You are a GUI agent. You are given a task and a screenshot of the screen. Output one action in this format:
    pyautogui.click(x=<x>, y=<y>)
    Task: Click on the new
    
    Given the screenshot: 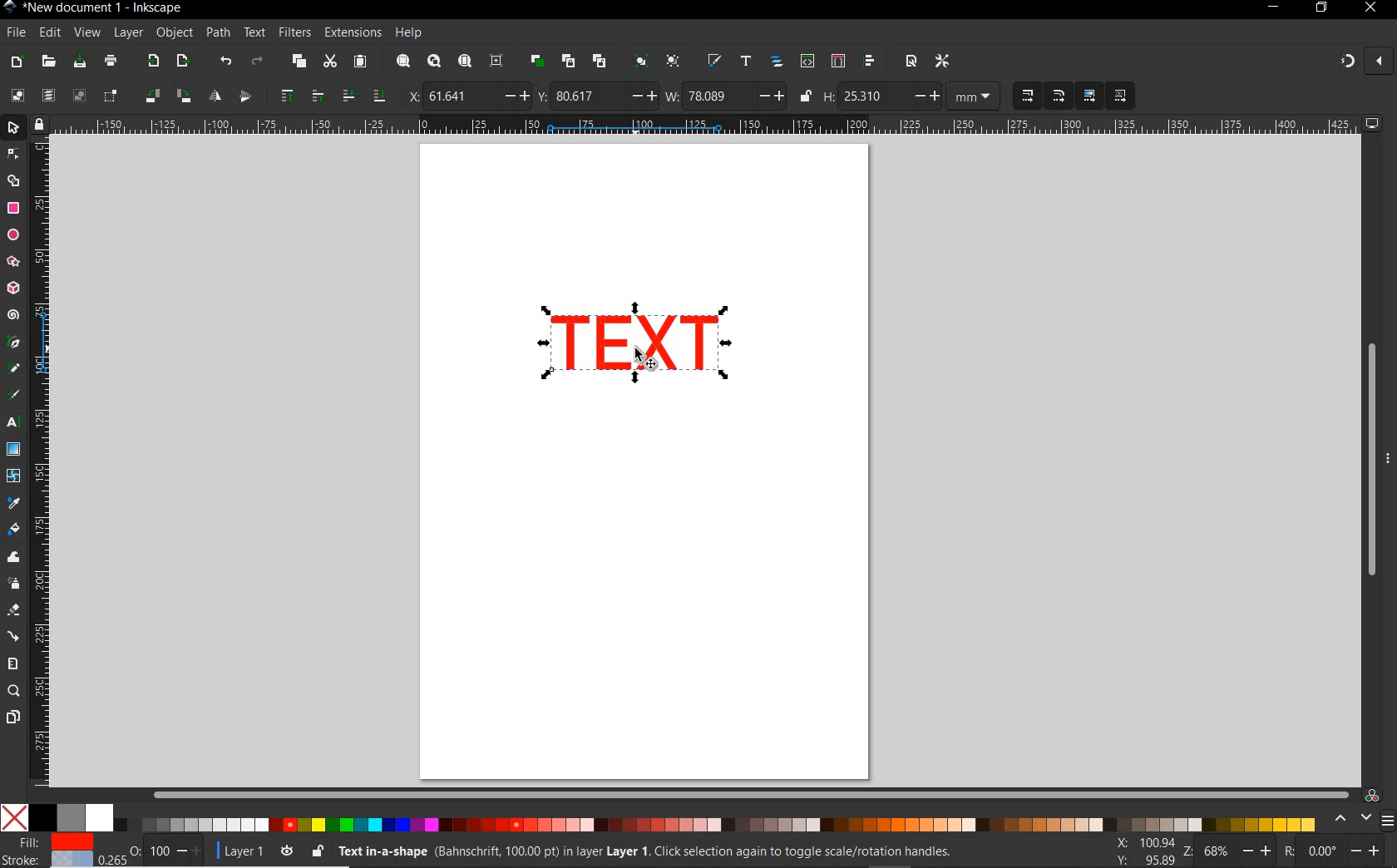 What is the action you would take?
    pyautogui.click(x=17, y=61)
    